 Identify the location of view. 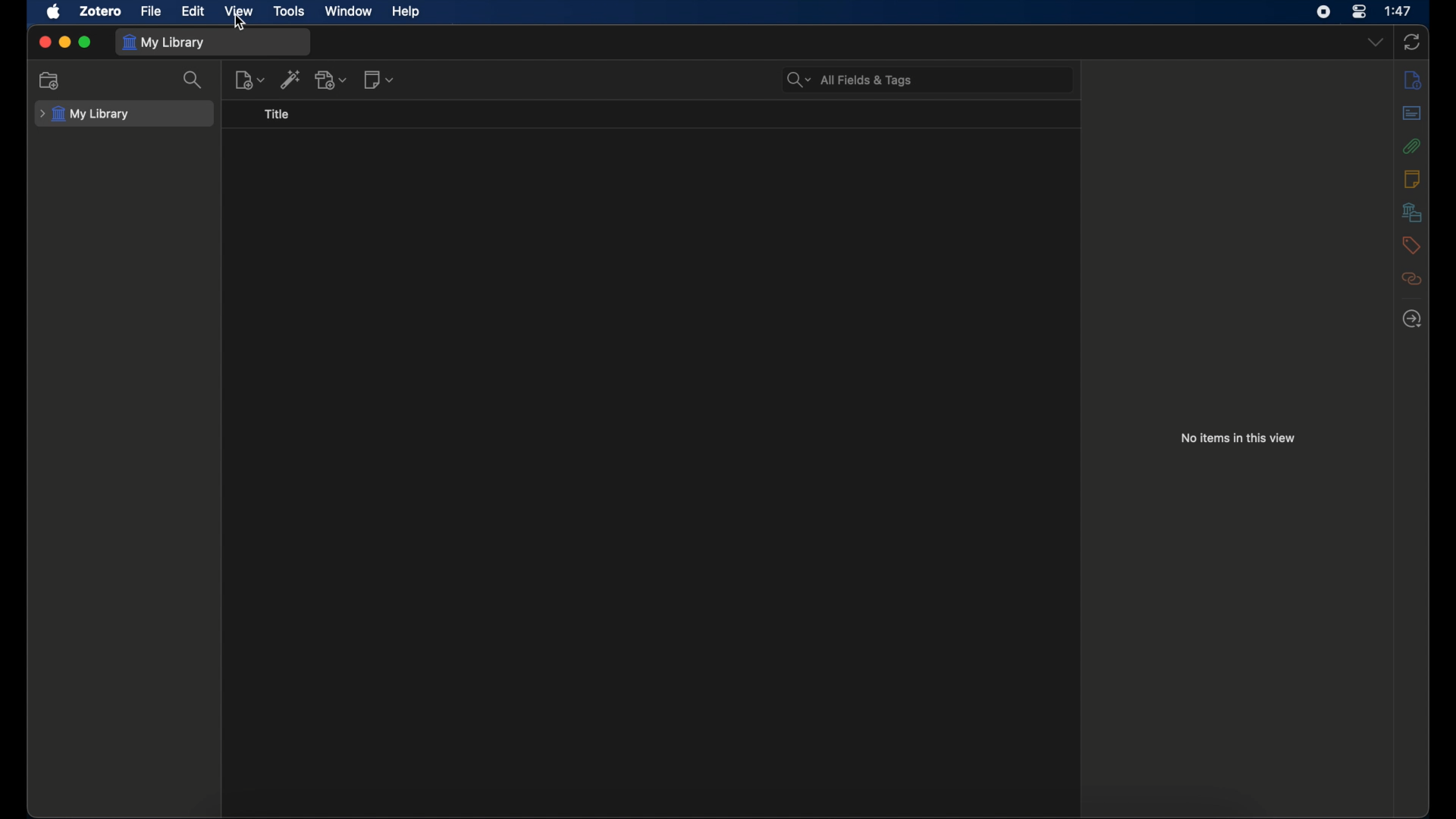
(237, 11).